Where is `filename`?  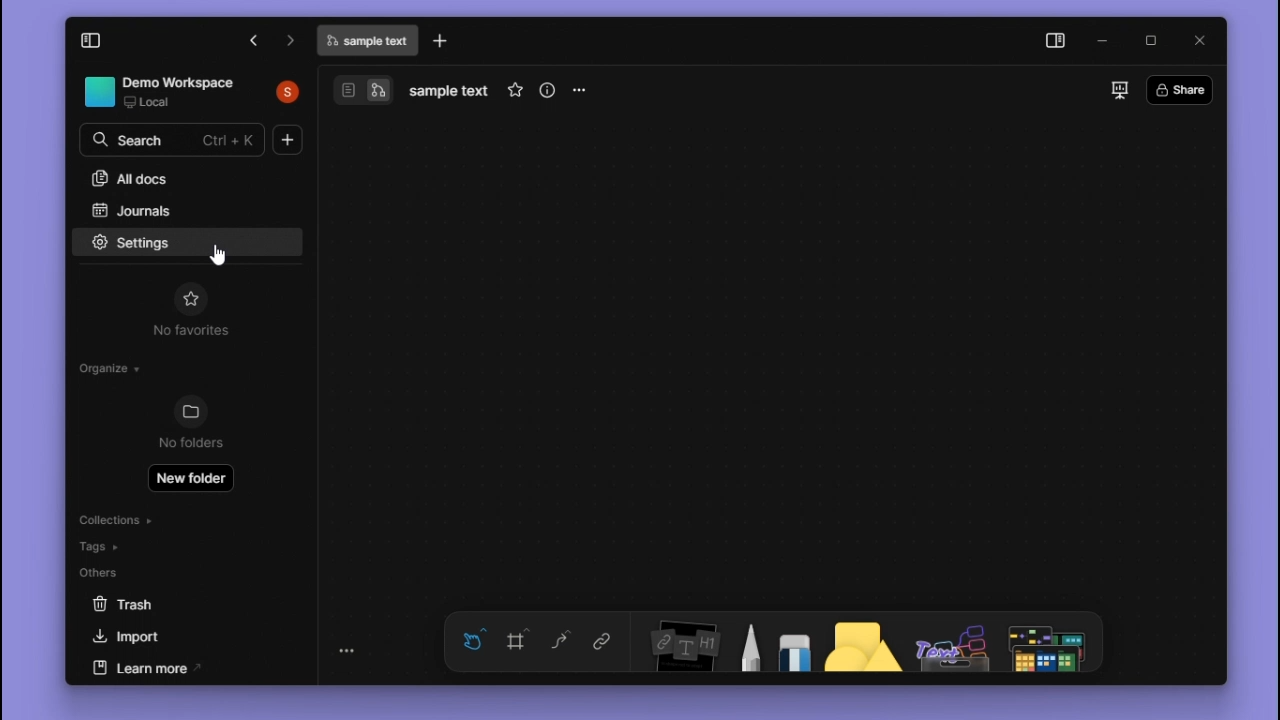 filename is located at coordinates (450, 92).